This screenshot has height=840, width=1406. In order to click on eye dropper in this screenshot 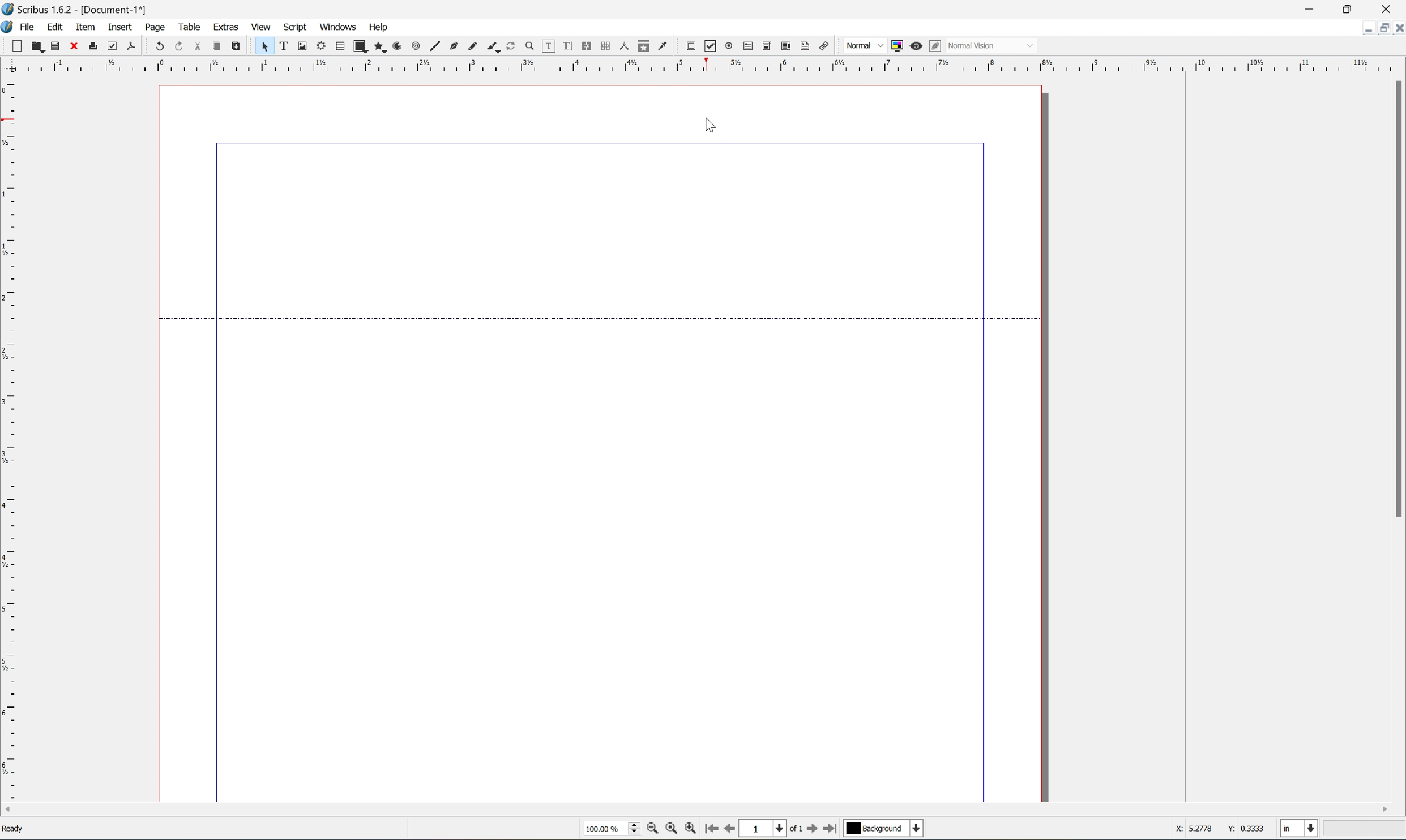, I will do `click(665, 46)`.